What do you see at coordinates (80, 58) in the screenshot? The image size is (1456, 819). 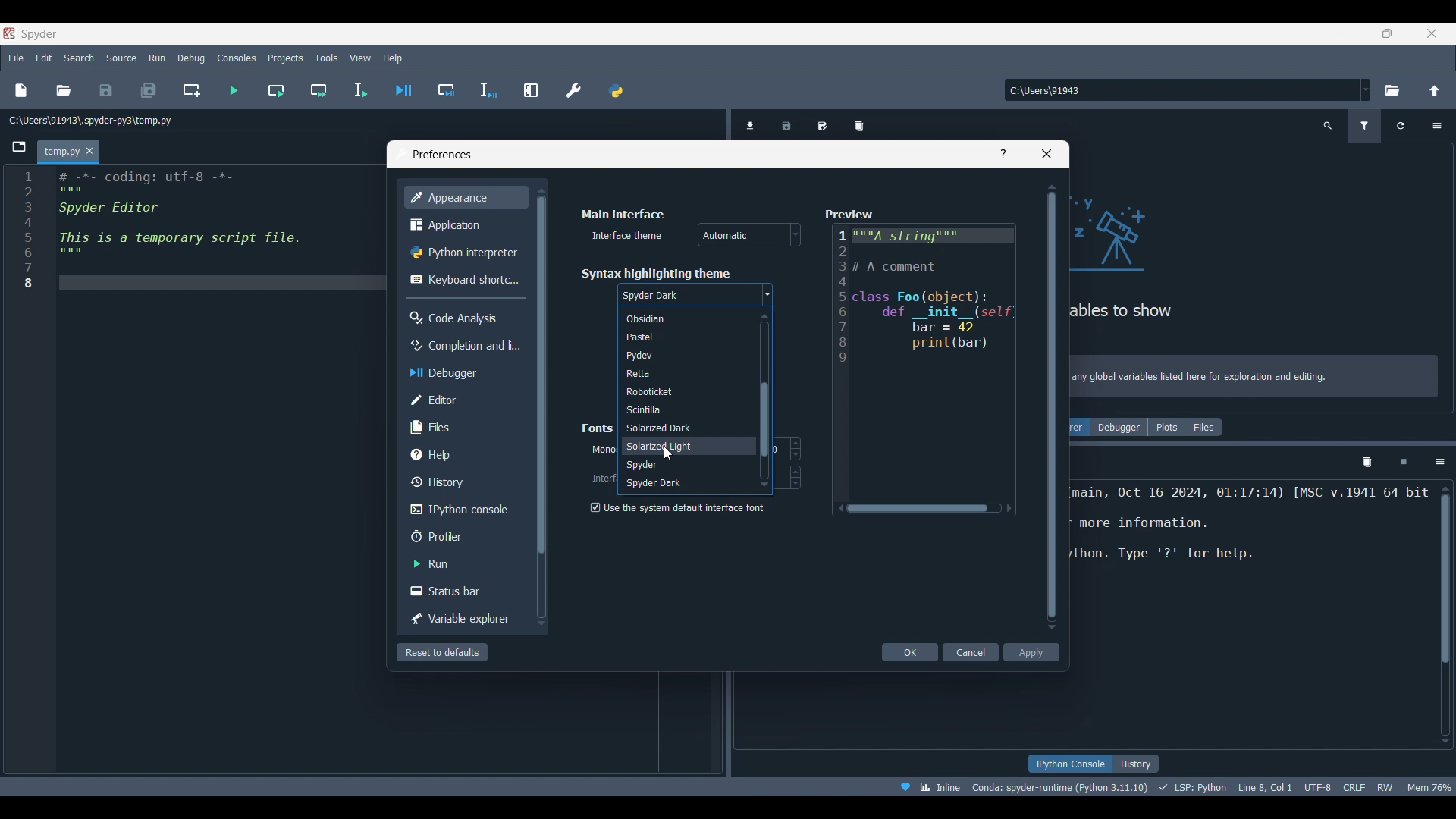 I see `Search menu` at bounding box center [80, 58].